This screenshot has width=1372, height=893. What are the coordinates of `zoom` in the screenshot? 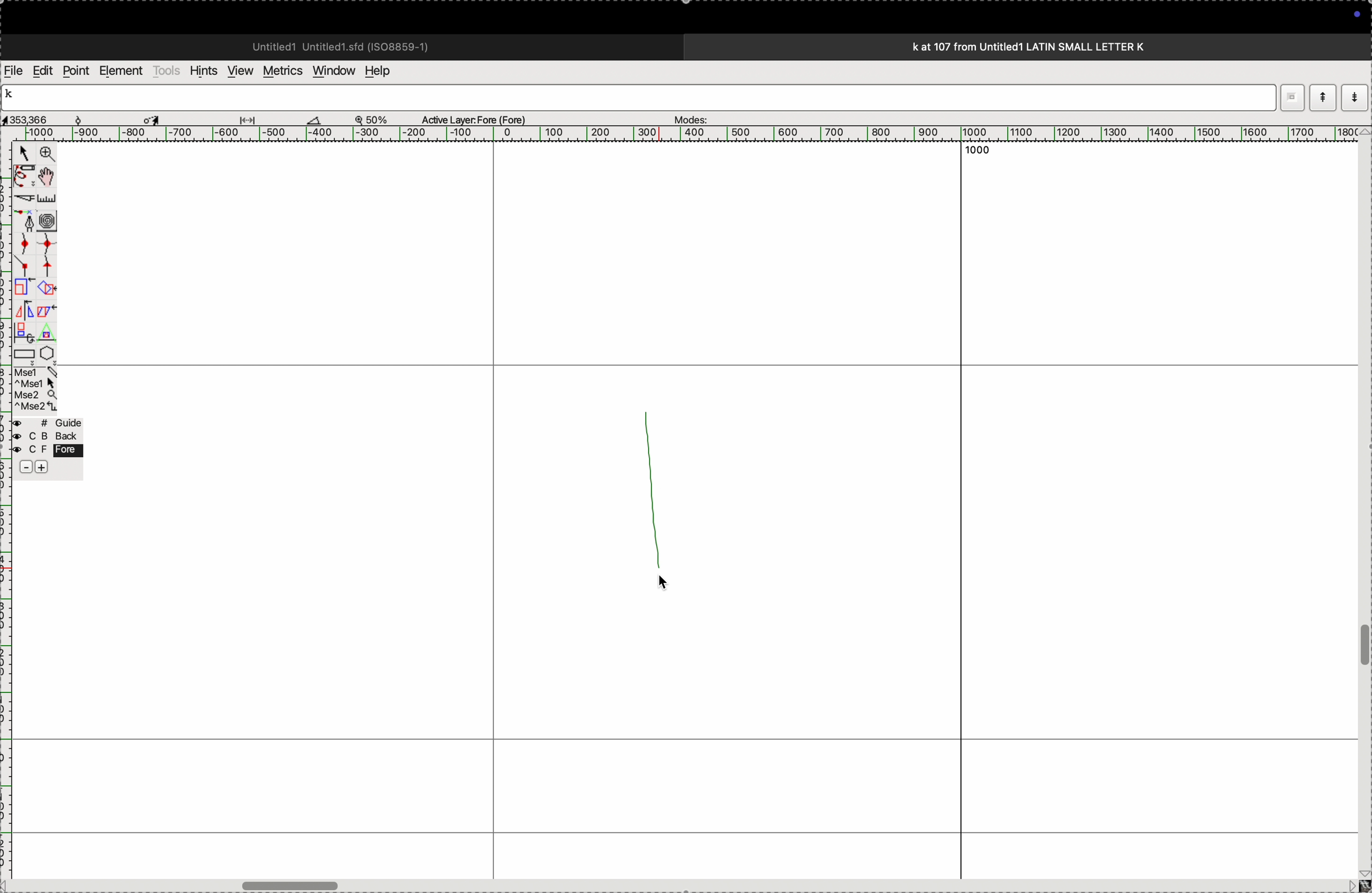 It's located at (45, 155).